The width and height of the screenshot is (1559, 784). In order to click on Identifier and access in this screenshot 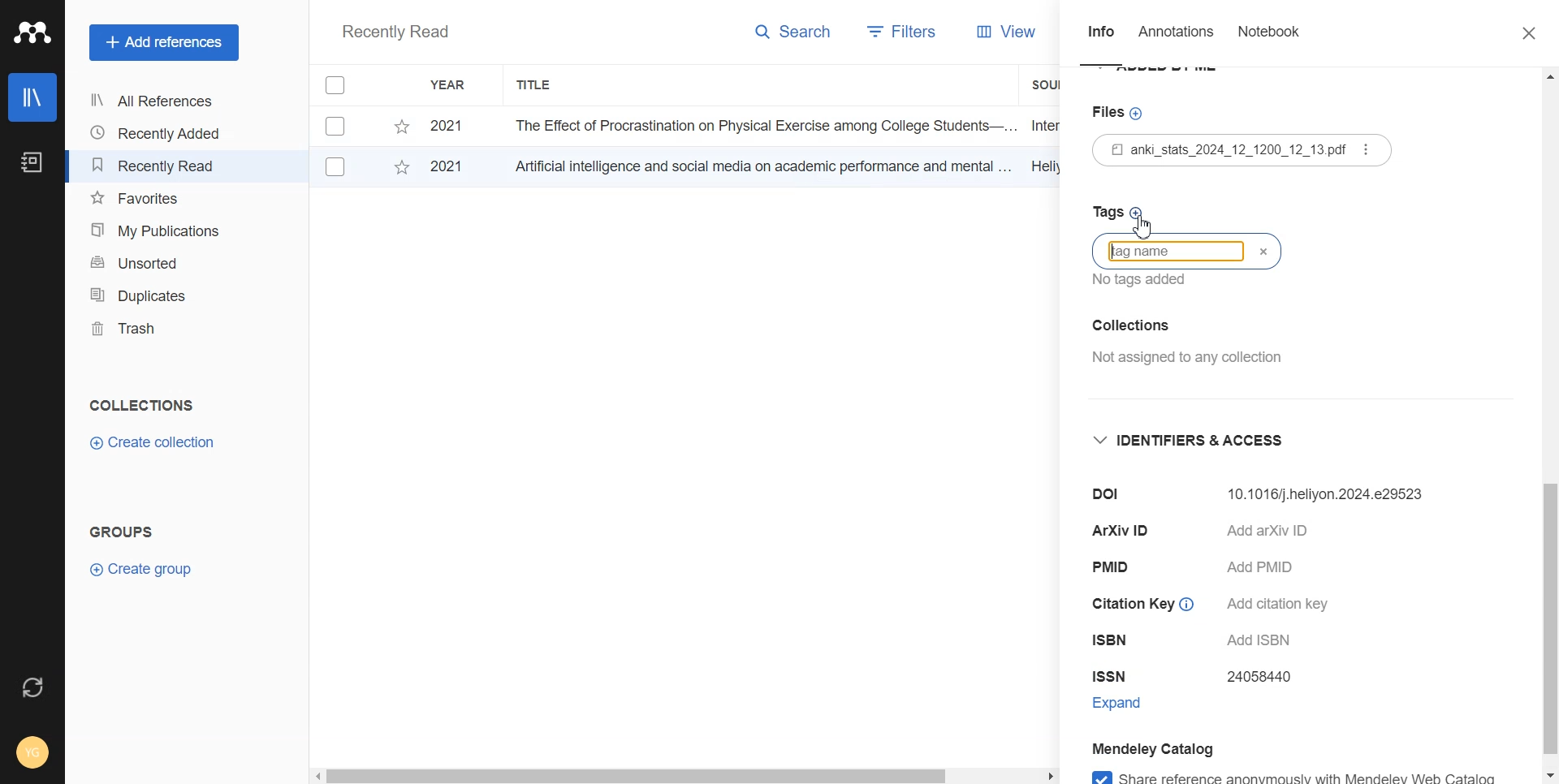, I will do `click(1203, 441)`.